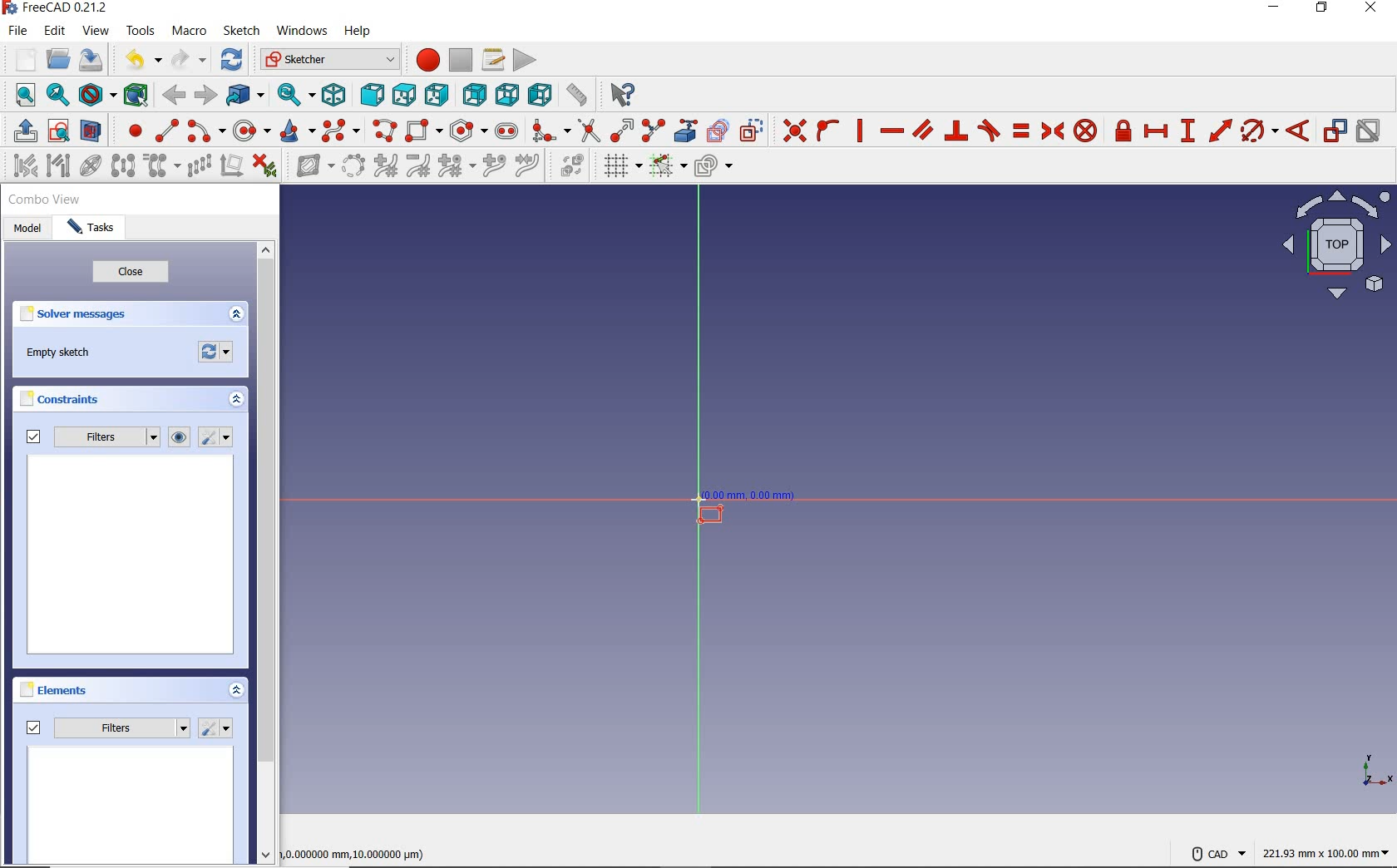 The image size is (1397, 868). Describe the element at coordinates (297, 132) in the screenshot. I see `create conic` at that location.